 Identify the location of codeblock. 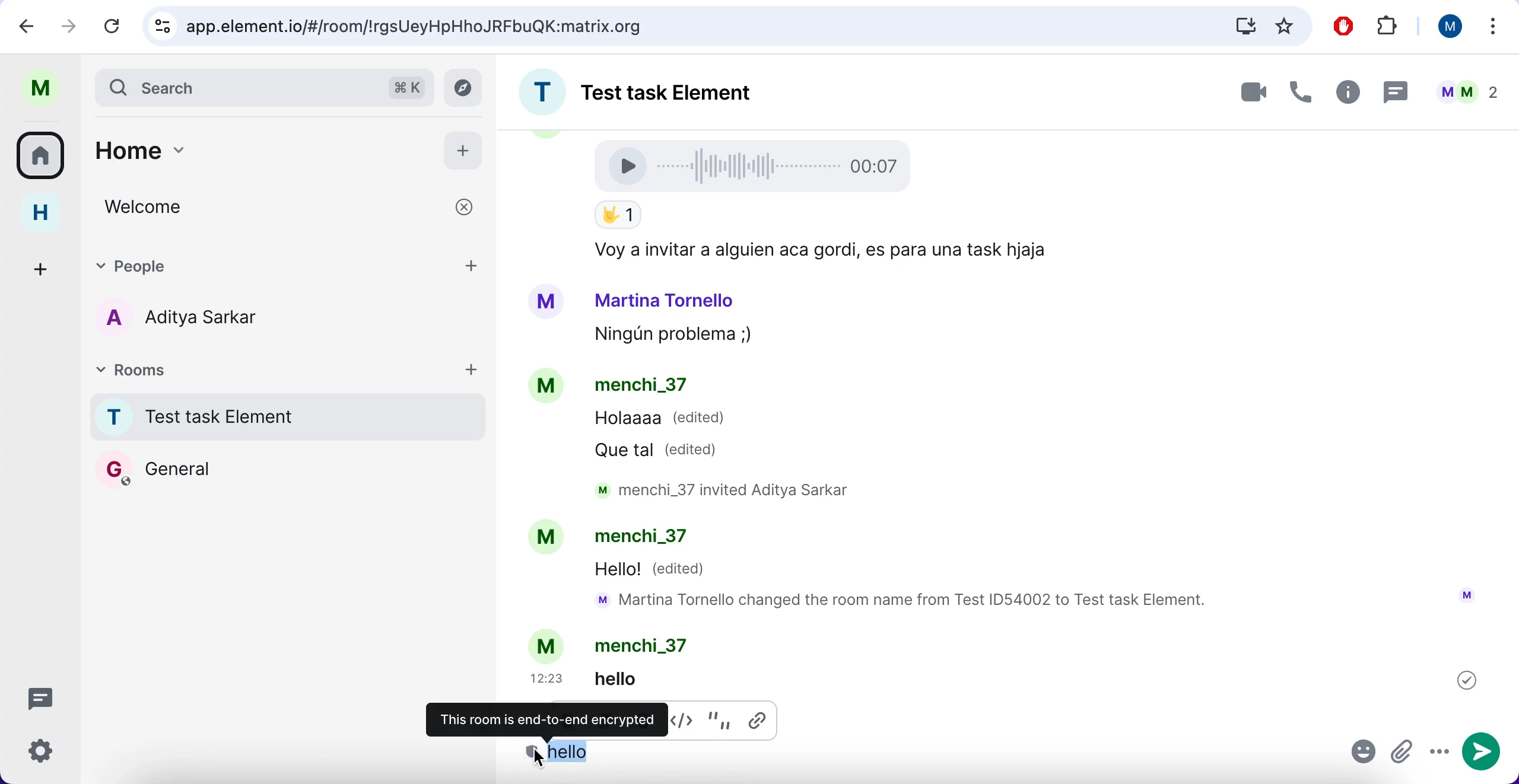
(685, 718).